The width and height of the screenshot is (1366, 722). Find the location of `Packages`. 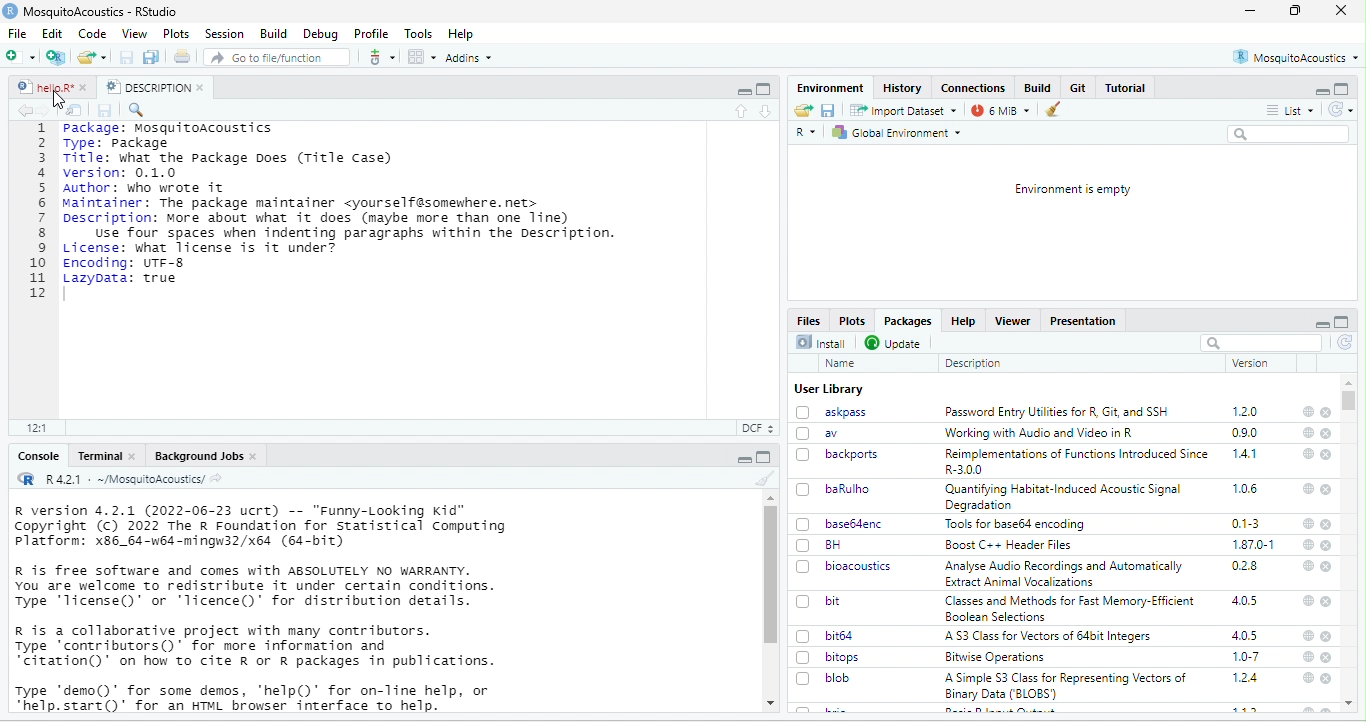

Packages is located at coordinates (911, 322).